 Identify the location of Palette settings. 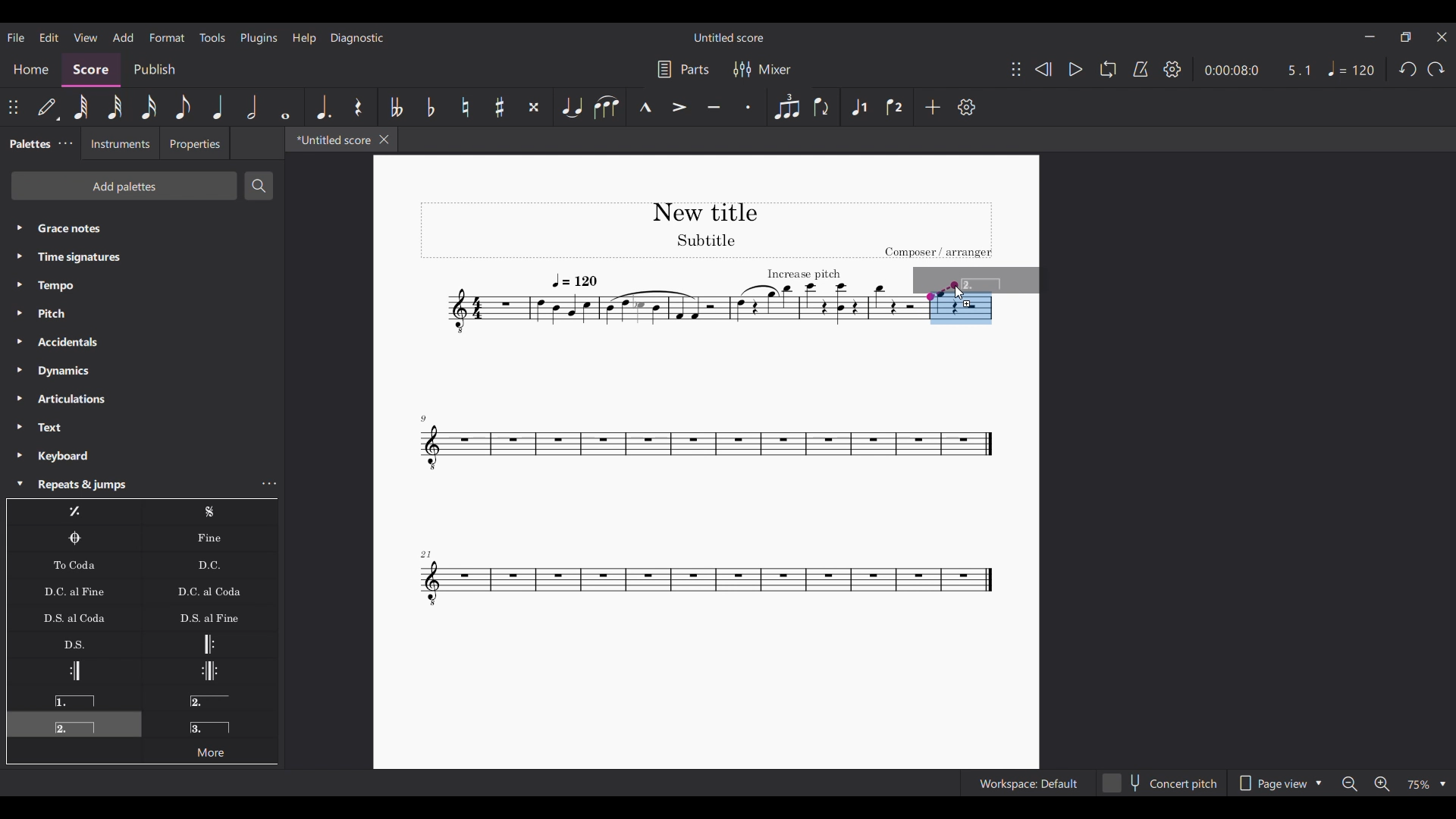
(65, 143).